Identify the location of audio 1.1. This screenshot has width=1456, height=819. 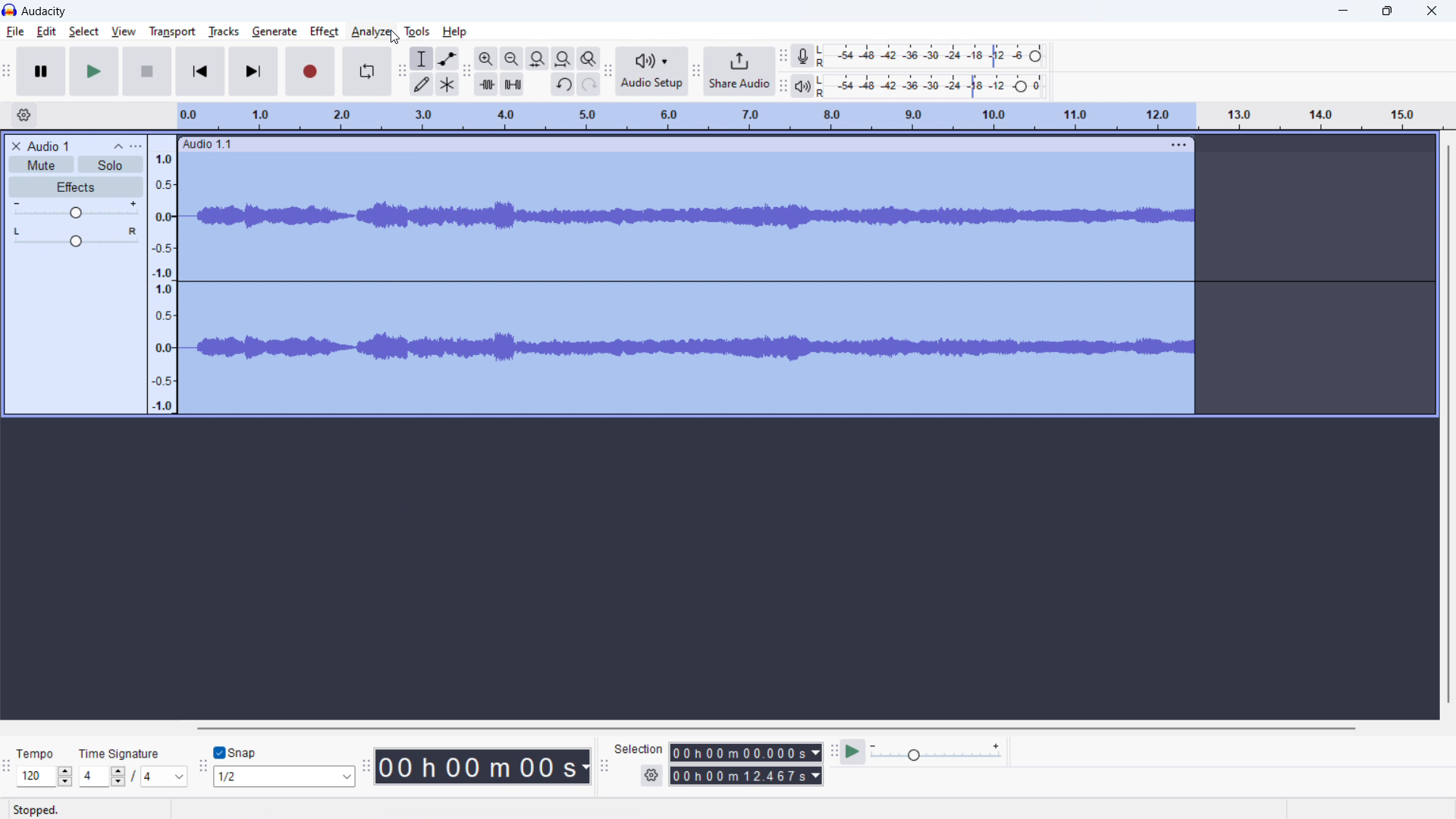
(207, 145).